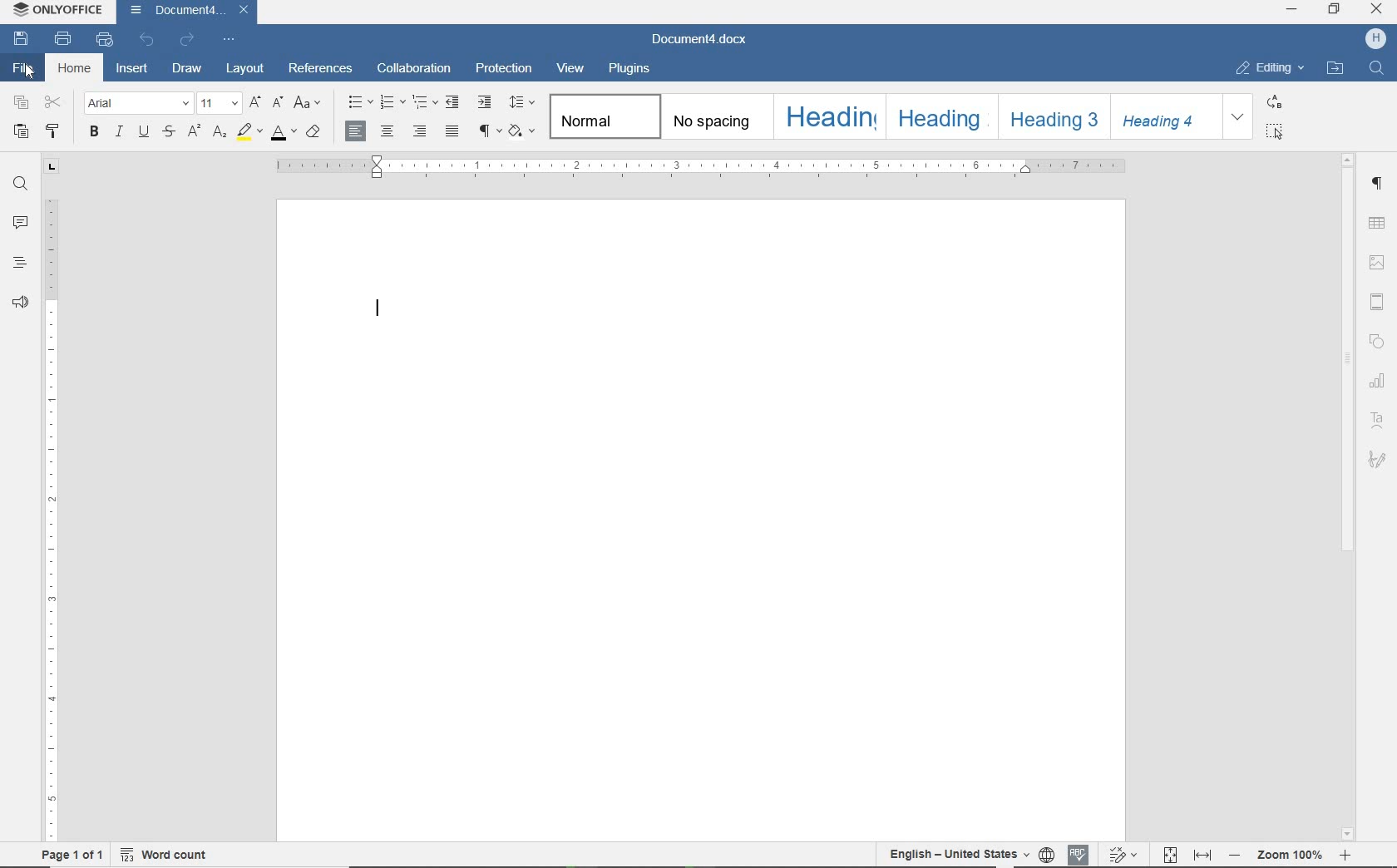 The image size is (1397, 868). What do you see at coordinates (52, 103) in the screenshot?
I see `cut` at bounding box center [52, 103].